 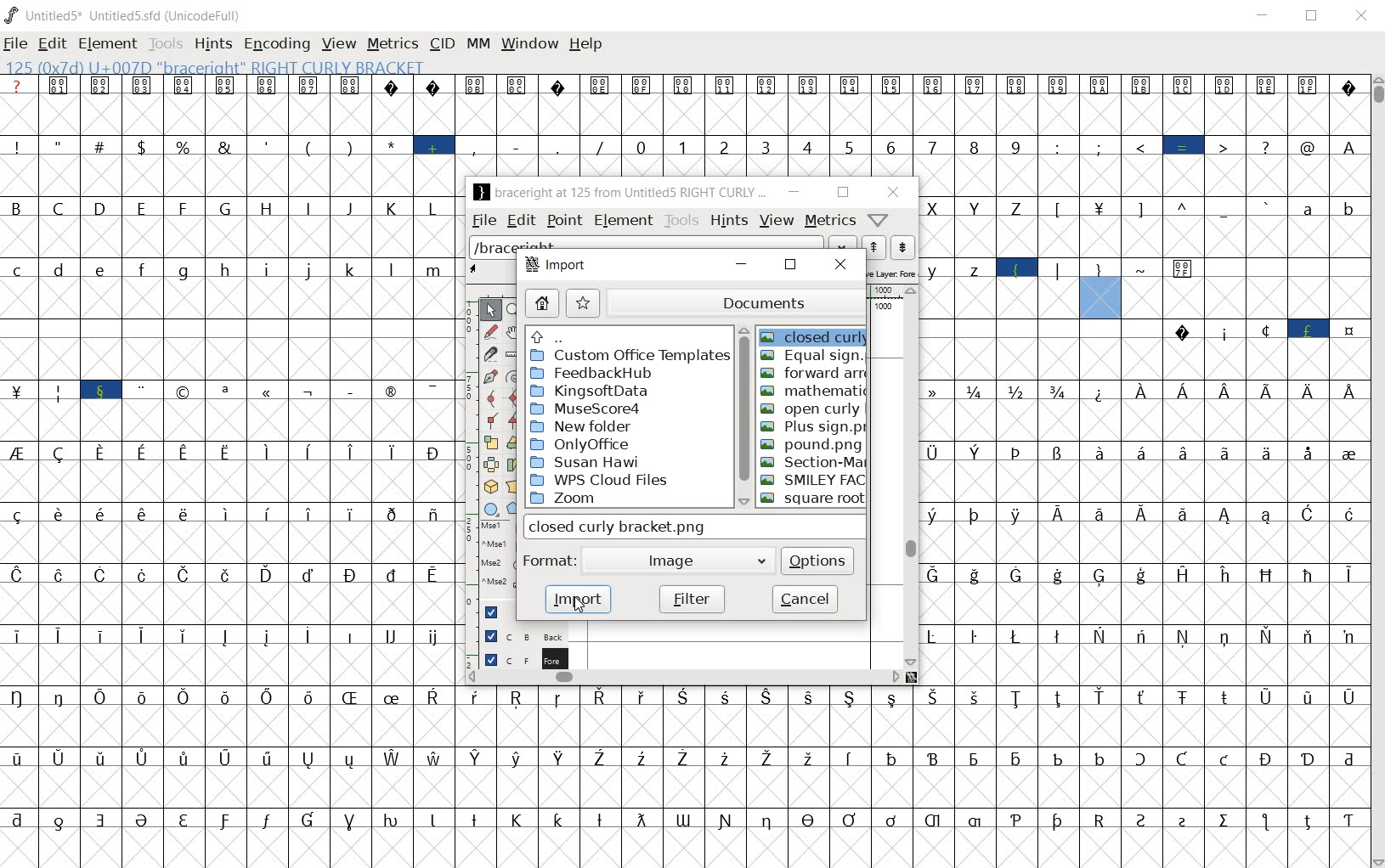 I want to click on import, so click(x=562, y=267).